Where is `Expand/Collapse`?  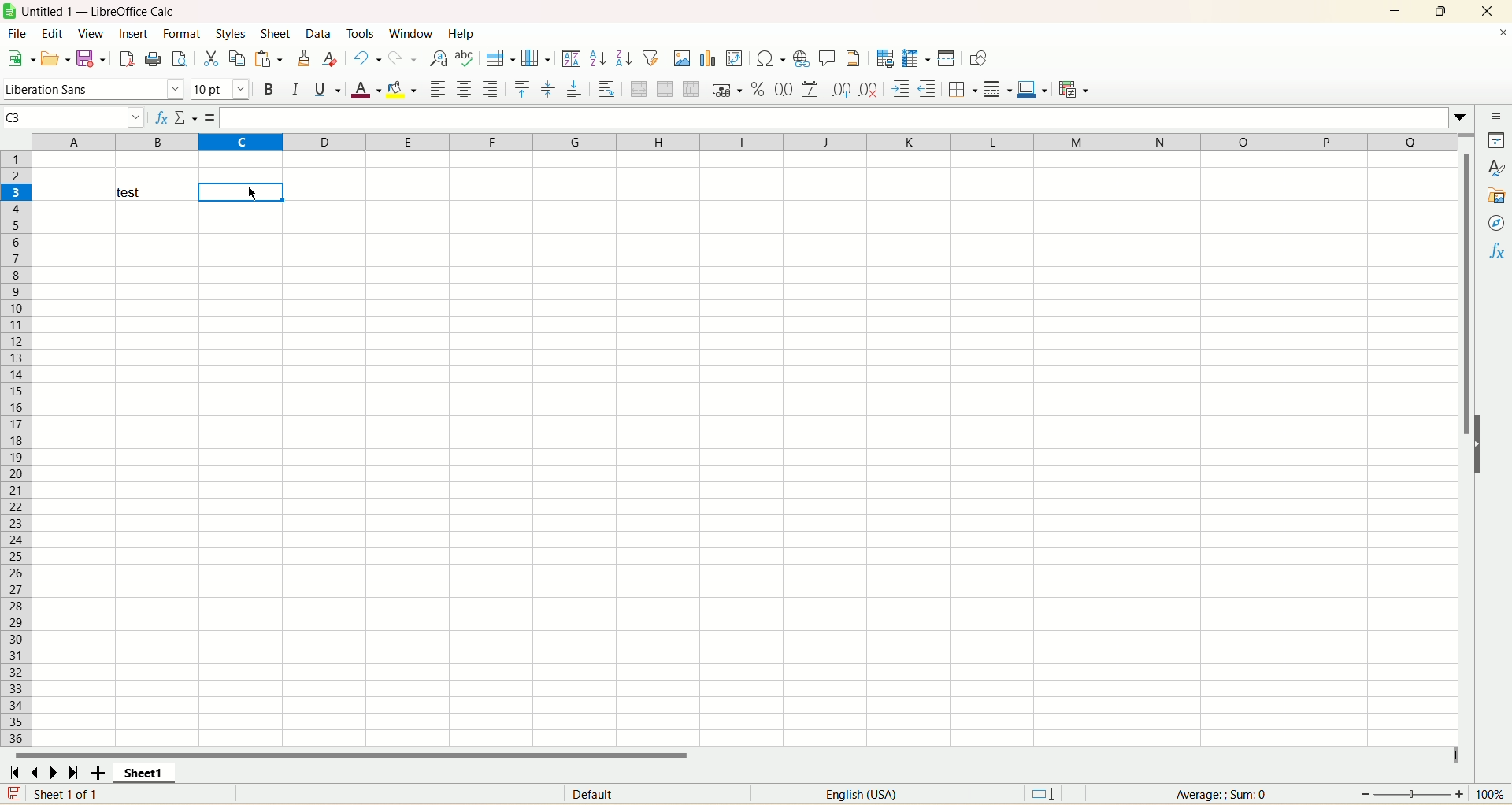
Expand/Collapse is located at coordinates (1478, 444).